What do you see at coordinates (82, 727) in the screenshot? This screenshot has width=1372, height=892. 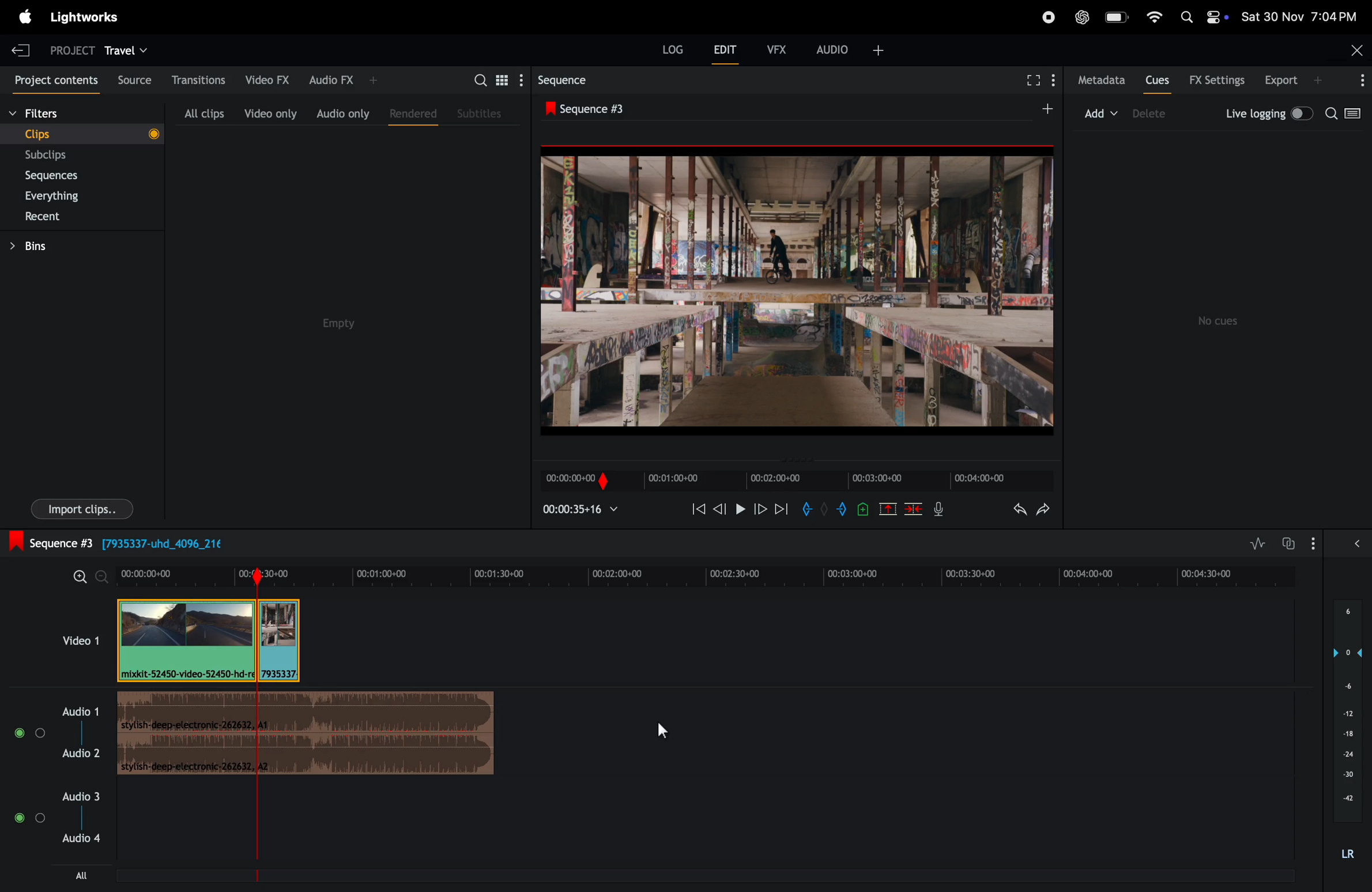 I see `Audio 1 -- Audio 2` at bounding box center [82, 727].